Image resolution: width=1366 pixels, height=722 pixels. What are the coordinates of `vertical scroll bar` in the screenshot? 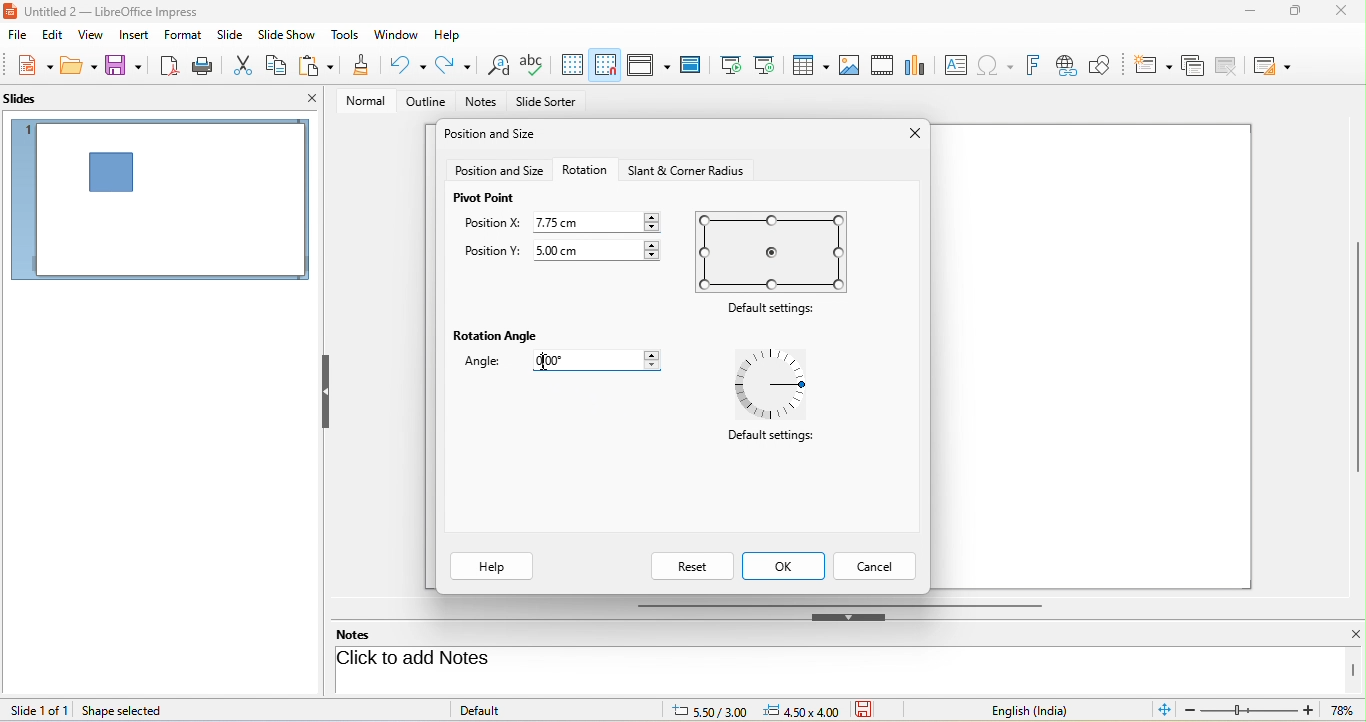 It's located at (1354, 670).